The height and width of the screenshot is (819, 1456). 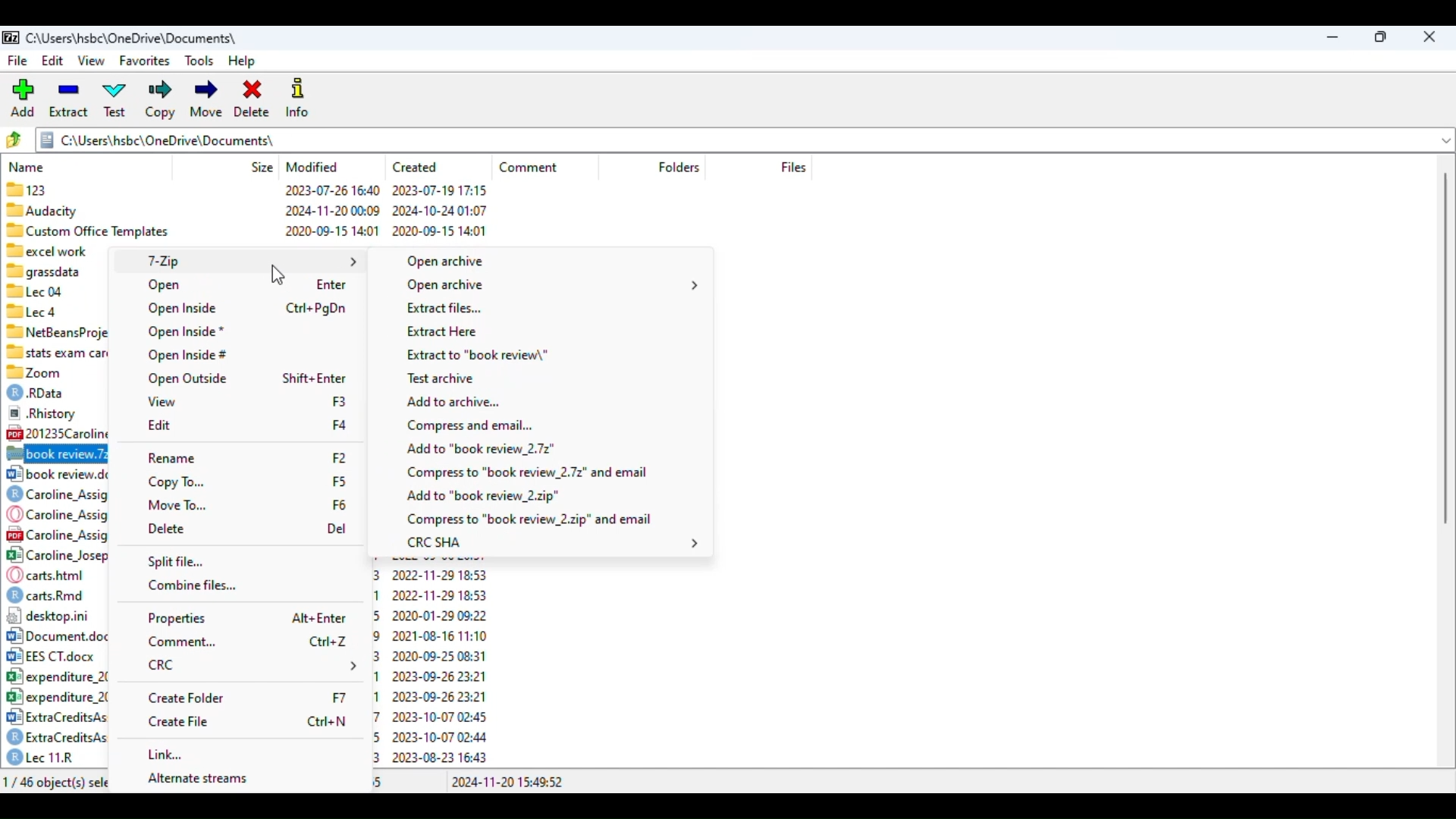 I want to click on 88 Zoom 2022-01-20 10:44 2020-10-02 00:42, so click(x=53, y=370).